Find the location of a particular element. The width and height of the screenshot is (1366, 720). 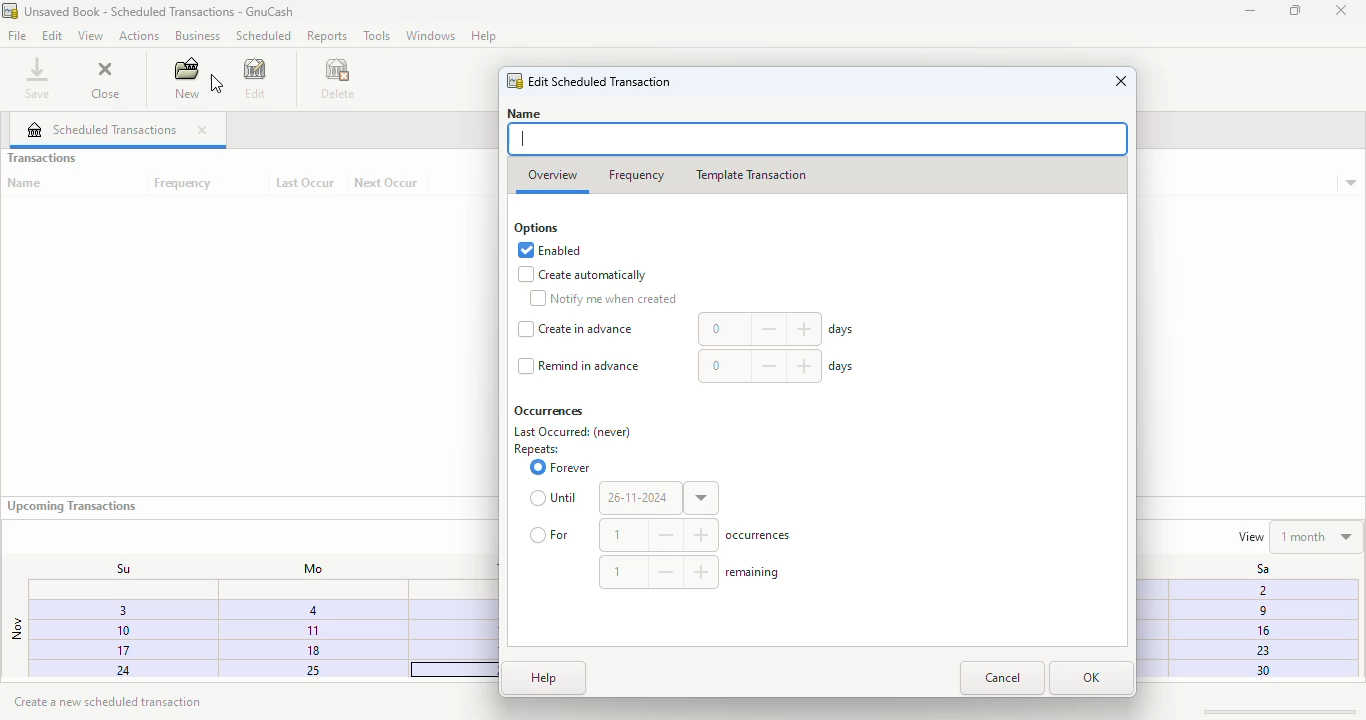

0 days is located at coordinates (778, 330).